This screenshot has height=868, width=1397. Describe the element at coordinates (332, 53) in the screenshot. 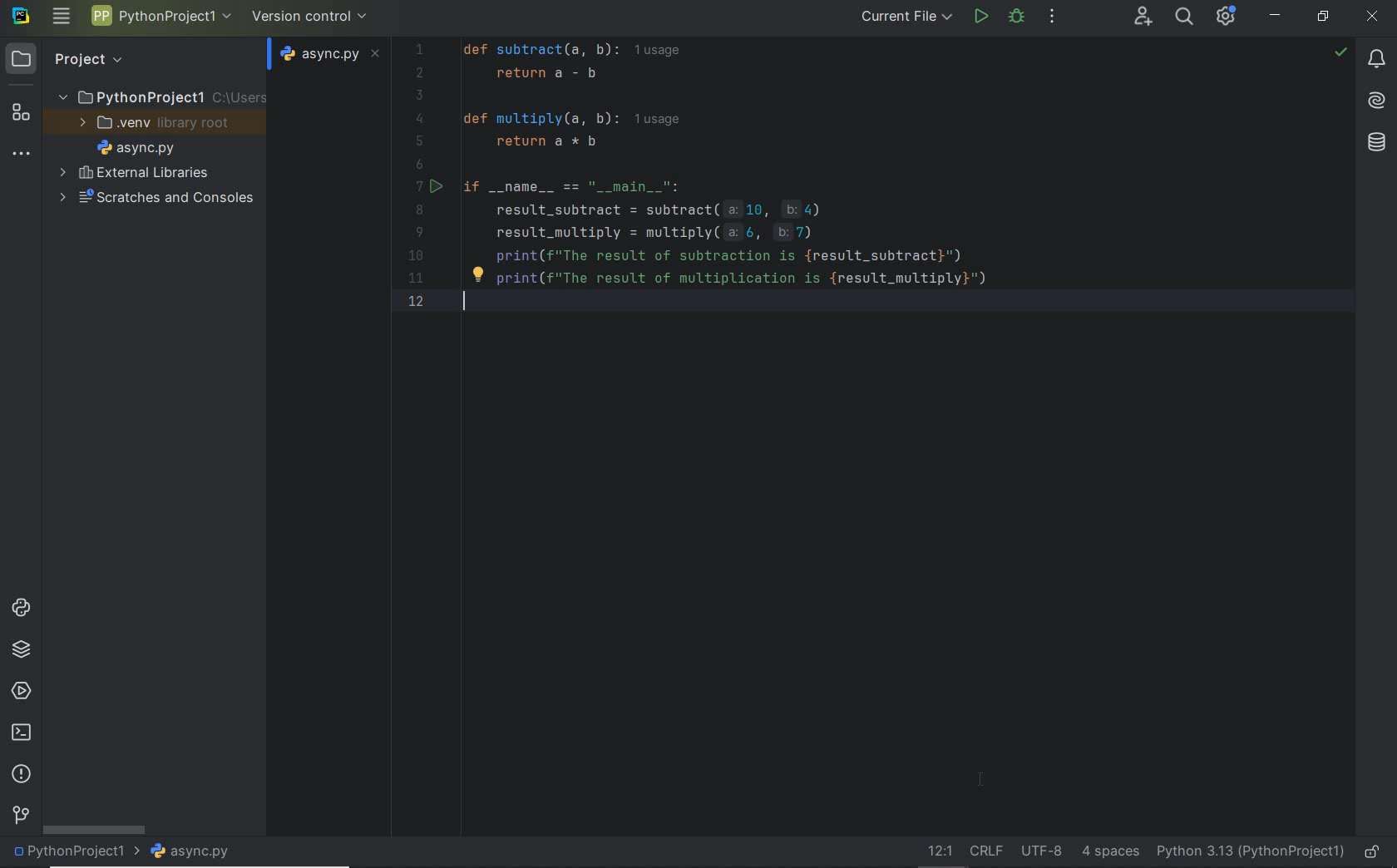

I see `file name` at that location.